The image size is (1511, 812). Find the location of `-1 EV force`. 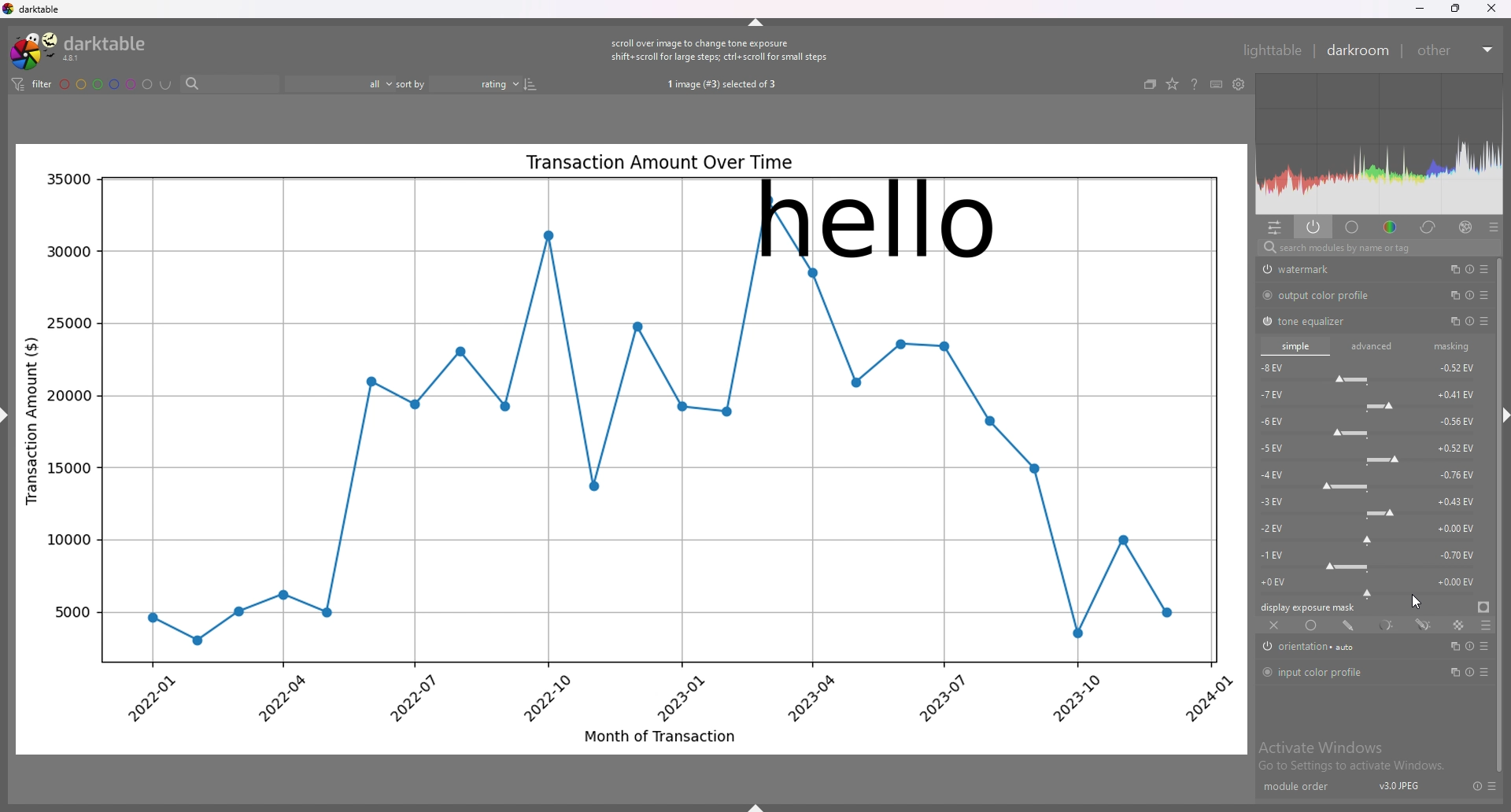

-1 EV force is located at coordinates (1372, 559).